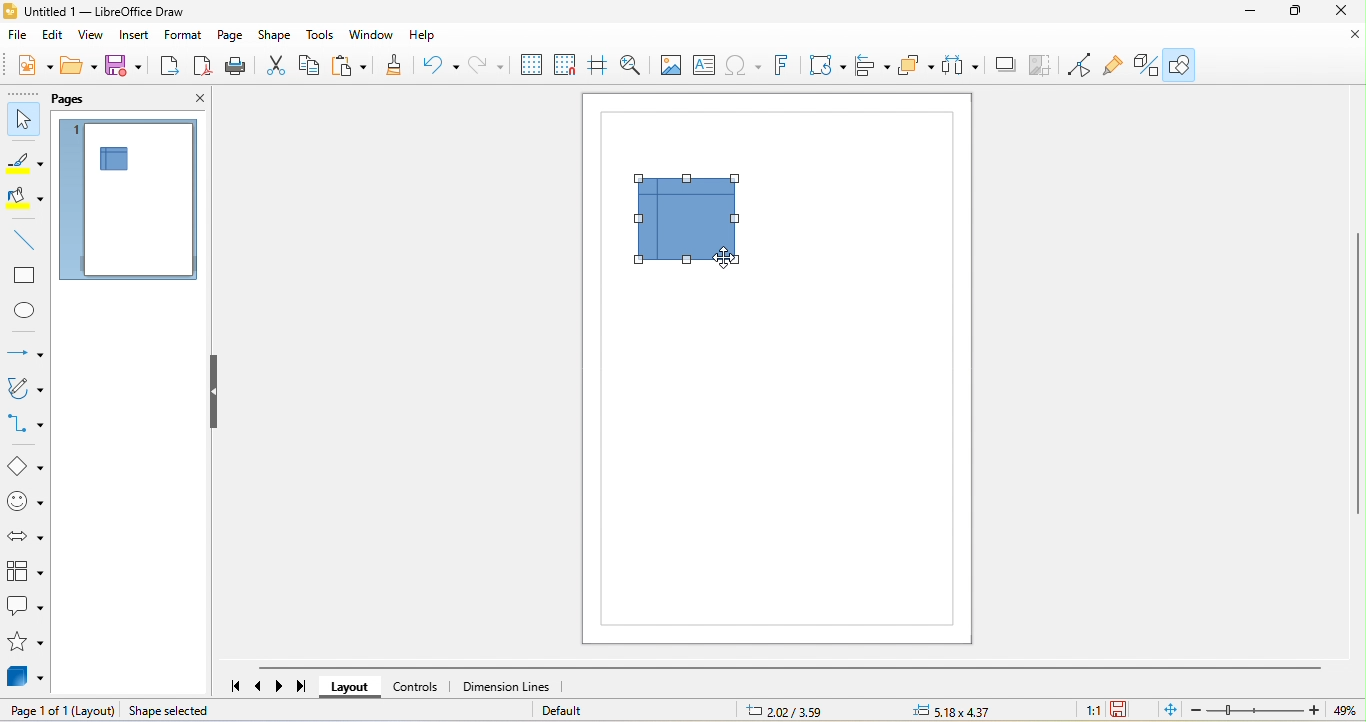 Image resolution: width=1366 pixels, height=722 pixels. Describe the element at coordinates (169, 66) in the screenshot. I see `export` at that location.